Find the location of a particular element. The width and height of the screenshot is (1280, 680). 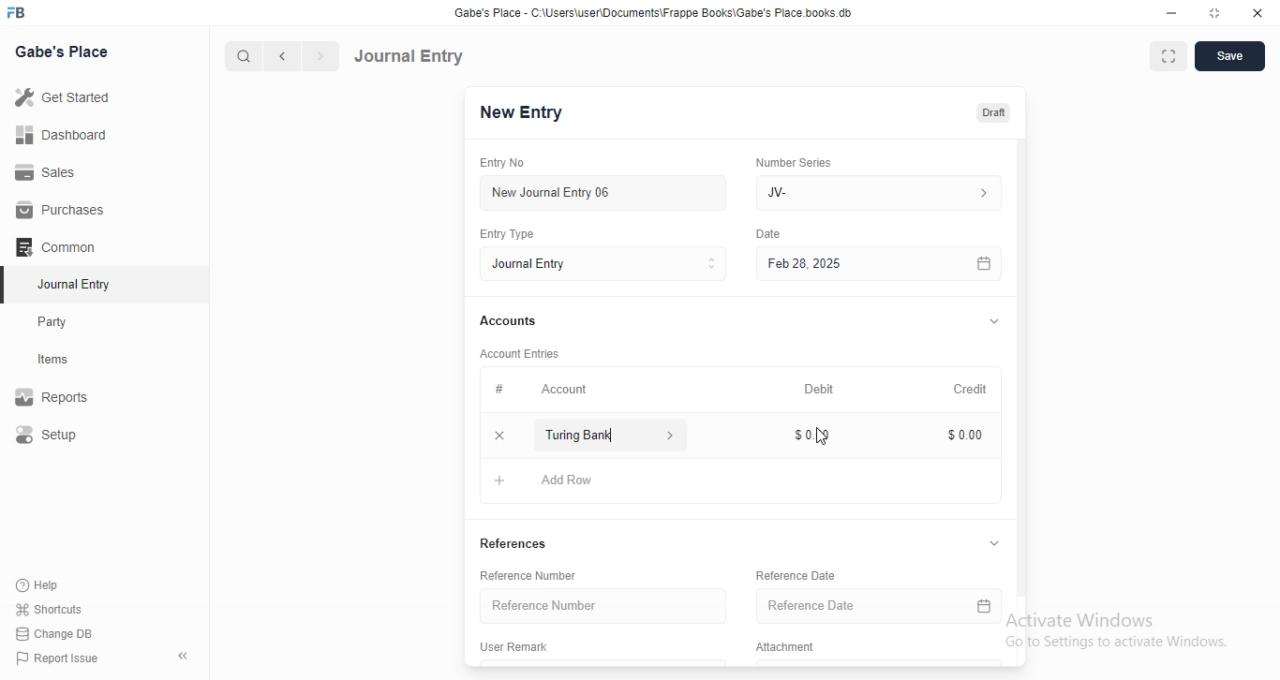

previous is located at coordinates (279, 56).